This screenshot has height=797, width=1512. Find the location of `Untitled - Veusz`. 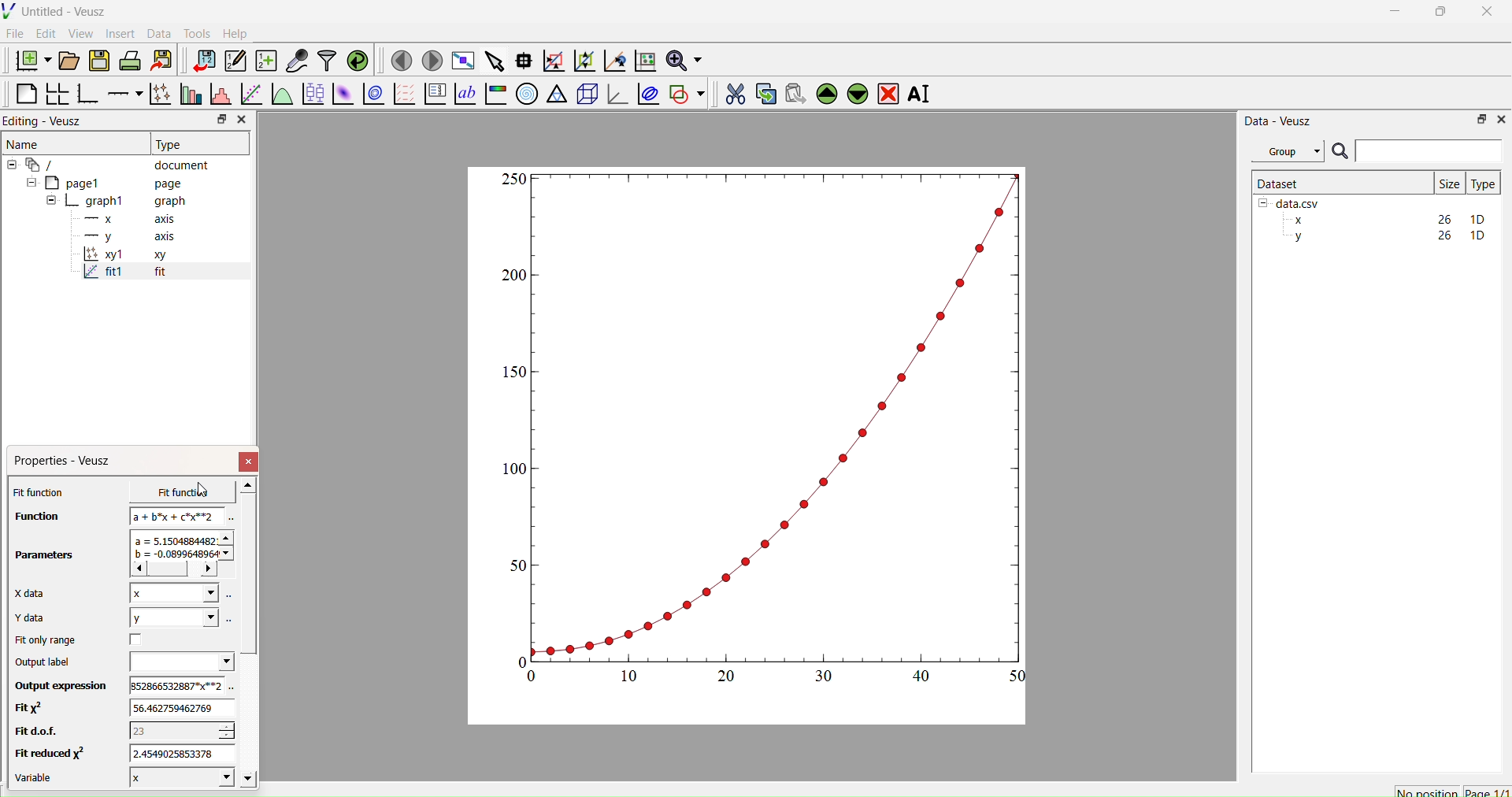

Untitled - Veusz is located at coordinates (57, 11).